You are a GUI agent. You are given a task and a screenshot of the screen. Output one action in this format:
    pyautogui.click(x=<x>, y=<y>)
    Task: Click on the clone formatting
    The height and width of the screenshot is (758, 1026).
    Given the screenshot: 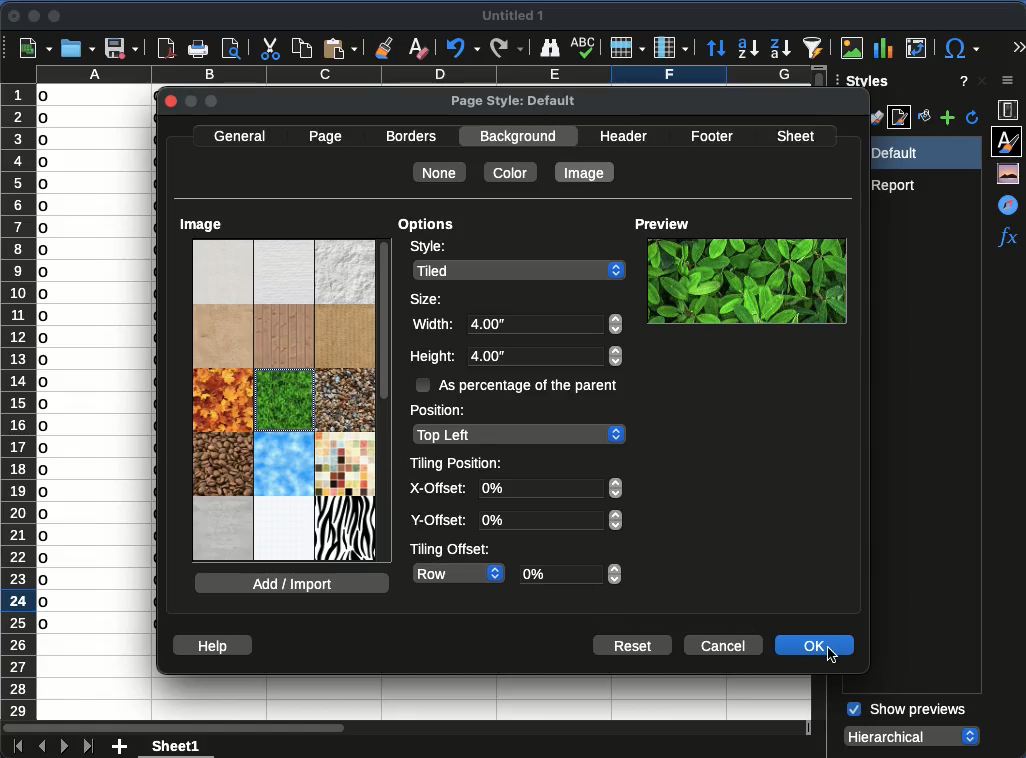 What is the action you would take?
    pyautogui.click(x=384, y=47)
    